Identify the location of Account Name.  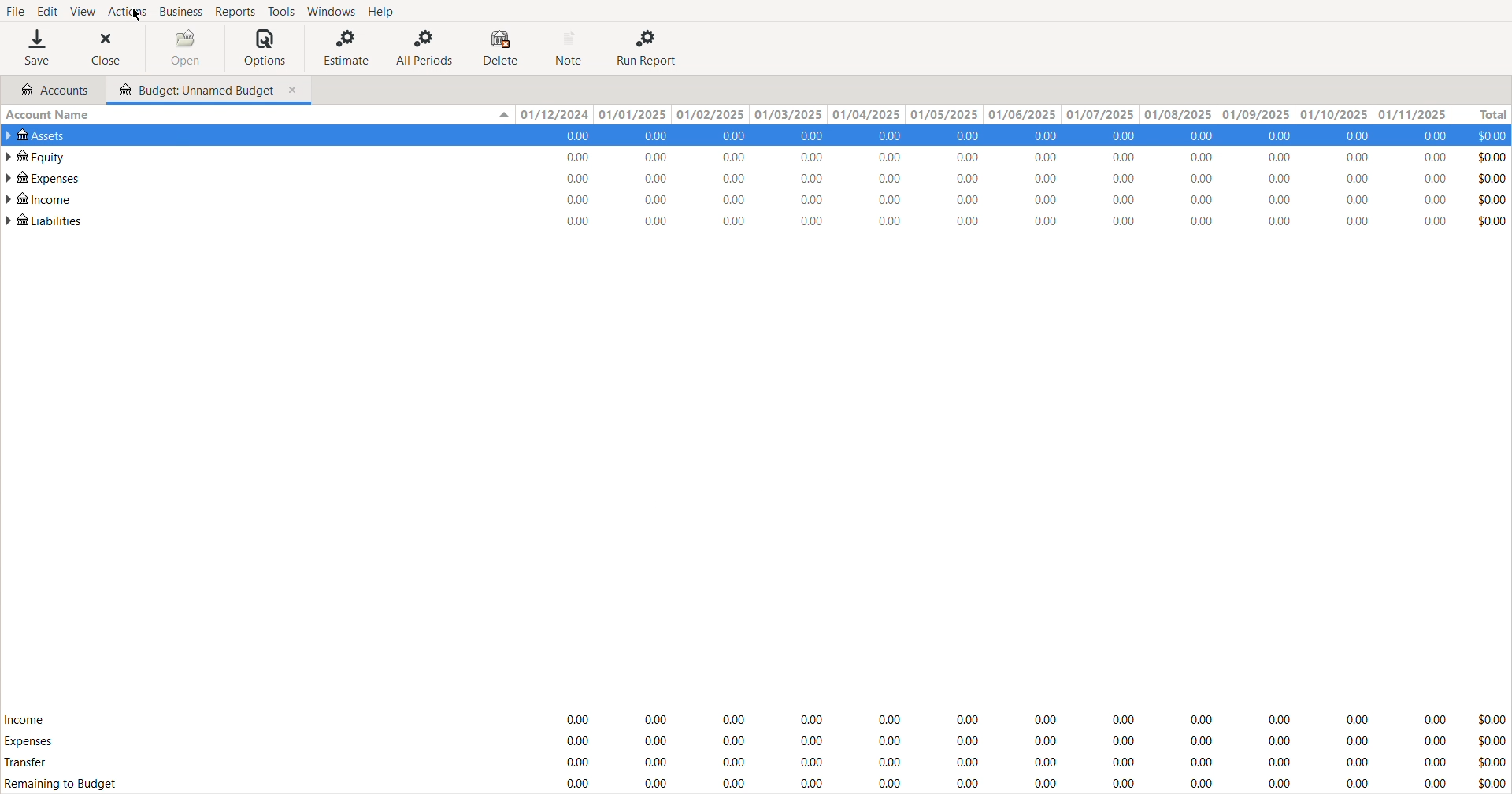
(50, 115).